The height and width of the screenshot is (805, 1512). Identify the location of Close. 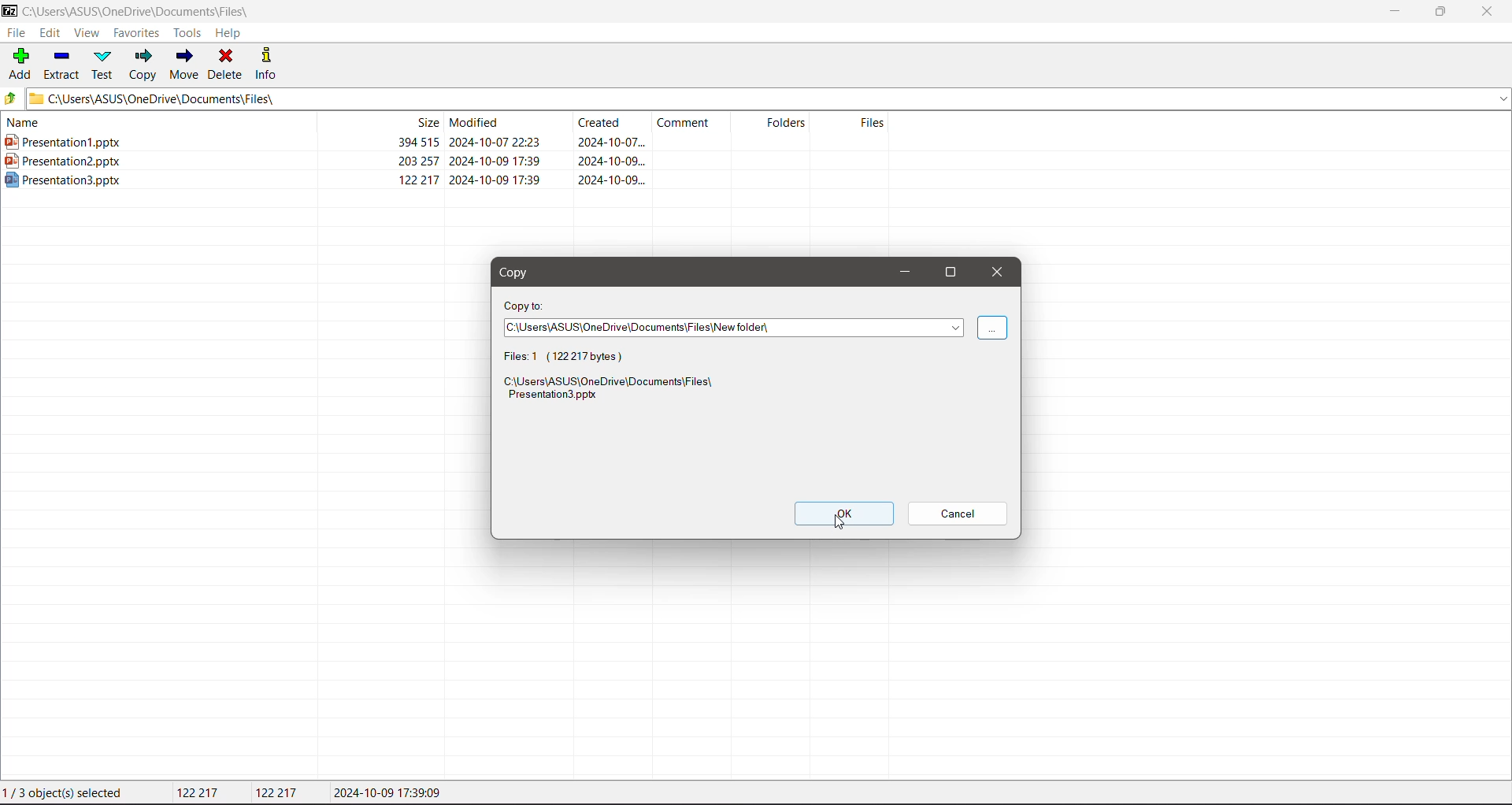
(1492, 12).